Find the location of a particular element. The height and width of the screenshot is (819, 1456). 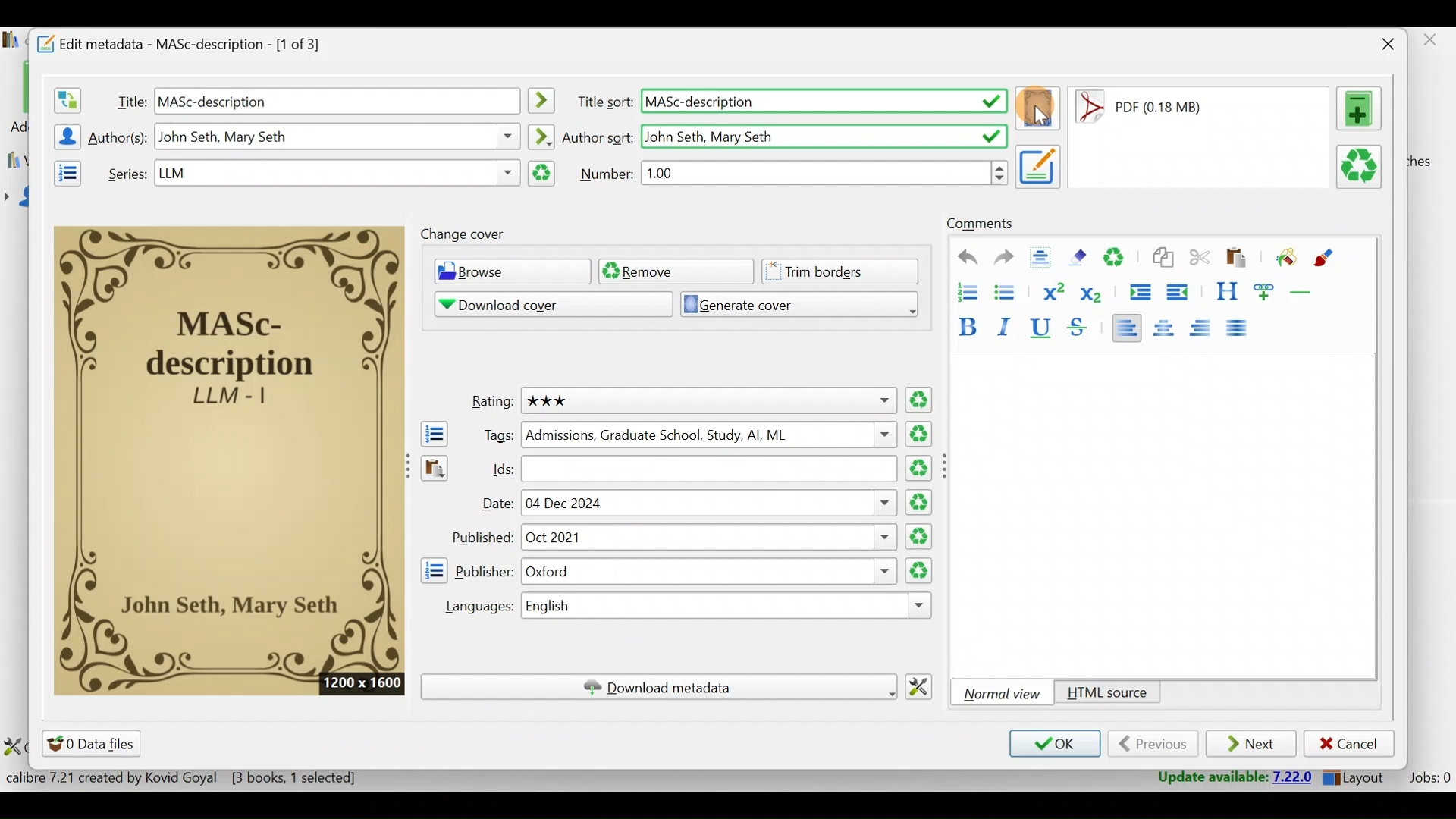

 Close is located at coordinates (1432, 44).